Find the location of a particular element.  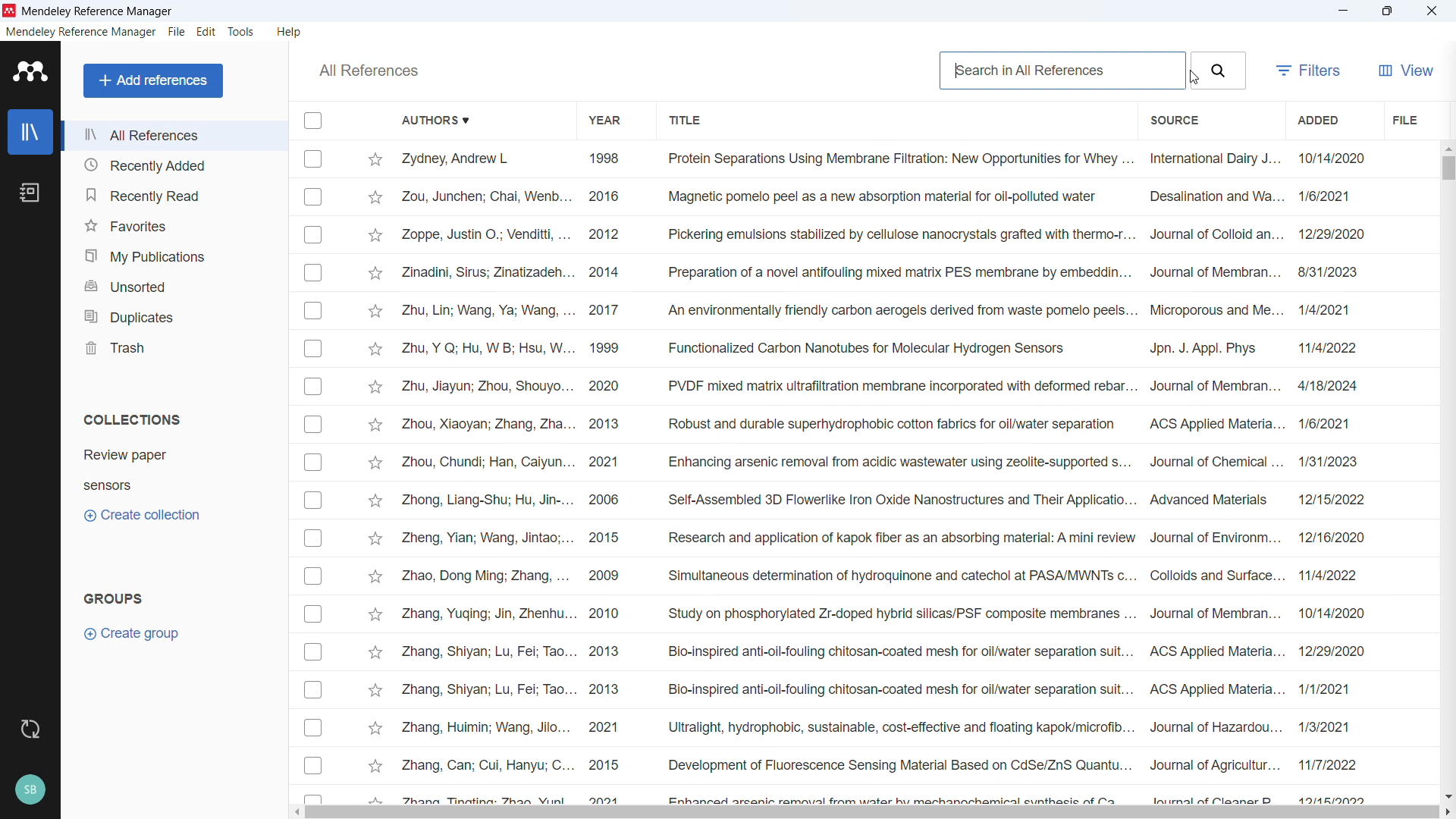

cursor is located at coordinates (1192, 79).